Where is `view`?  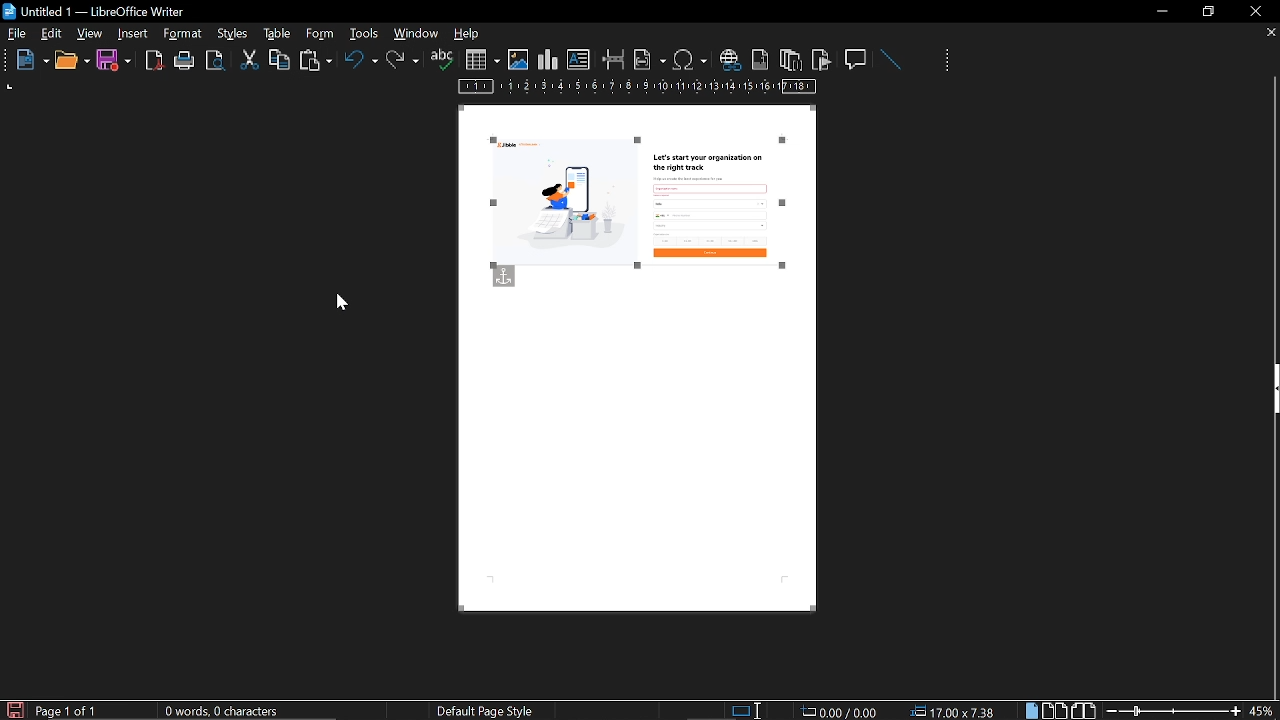 view is located at coordinates (91, 33).